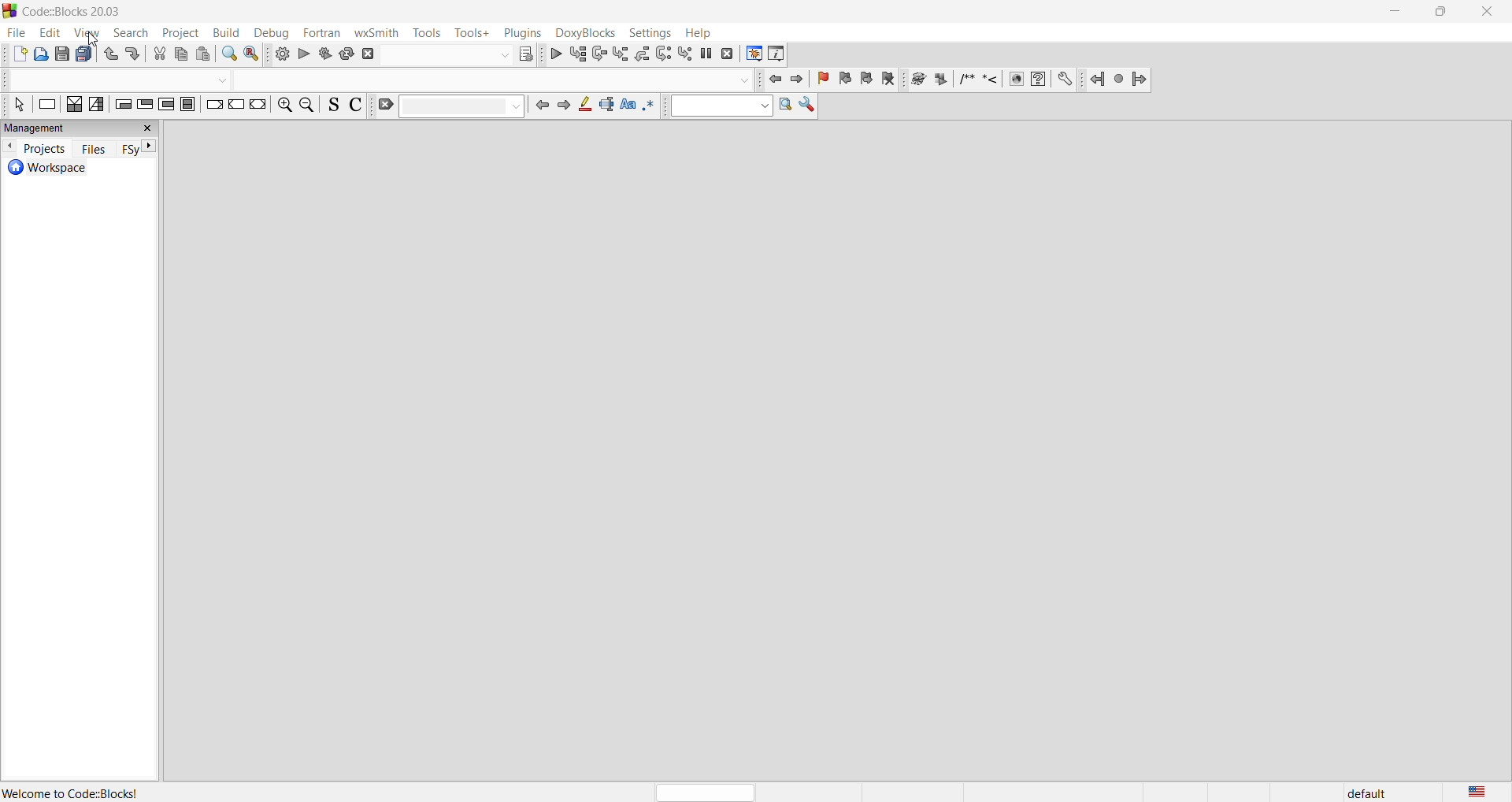  Describe the element at coordinates (584, 32) in the screenshot. I see `doxyBlocks` at that location.